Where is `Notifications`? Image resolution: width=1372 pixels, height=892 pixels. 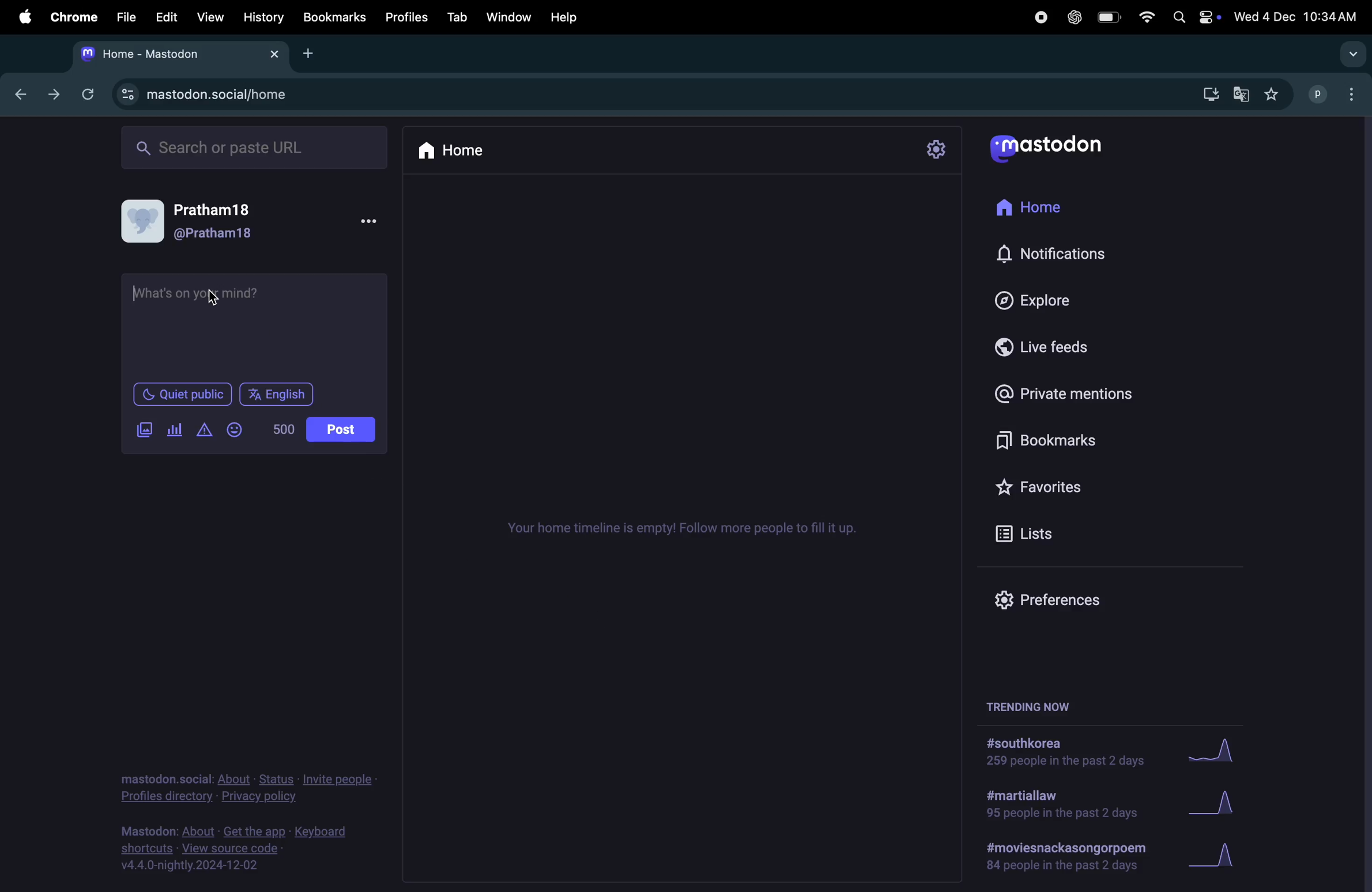 Notifications is located at coordinates (1053, 255).